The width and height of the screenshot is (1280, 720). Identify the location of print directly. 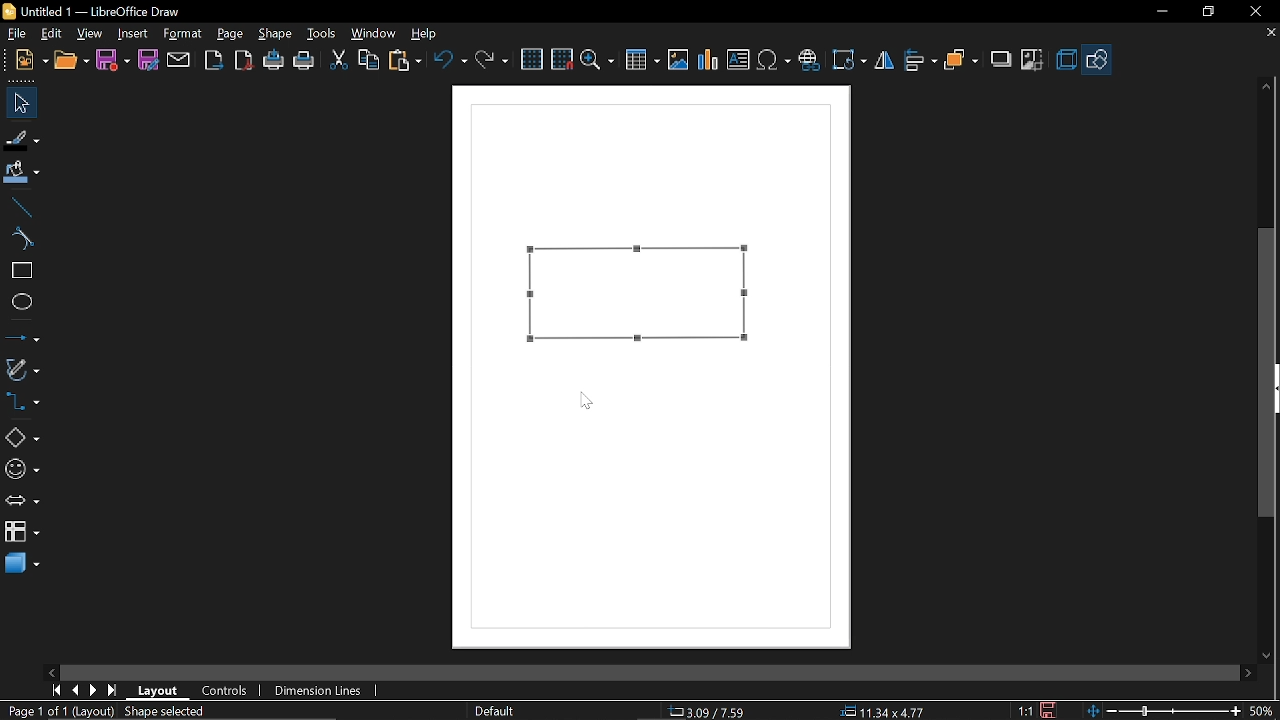
(272, 59).